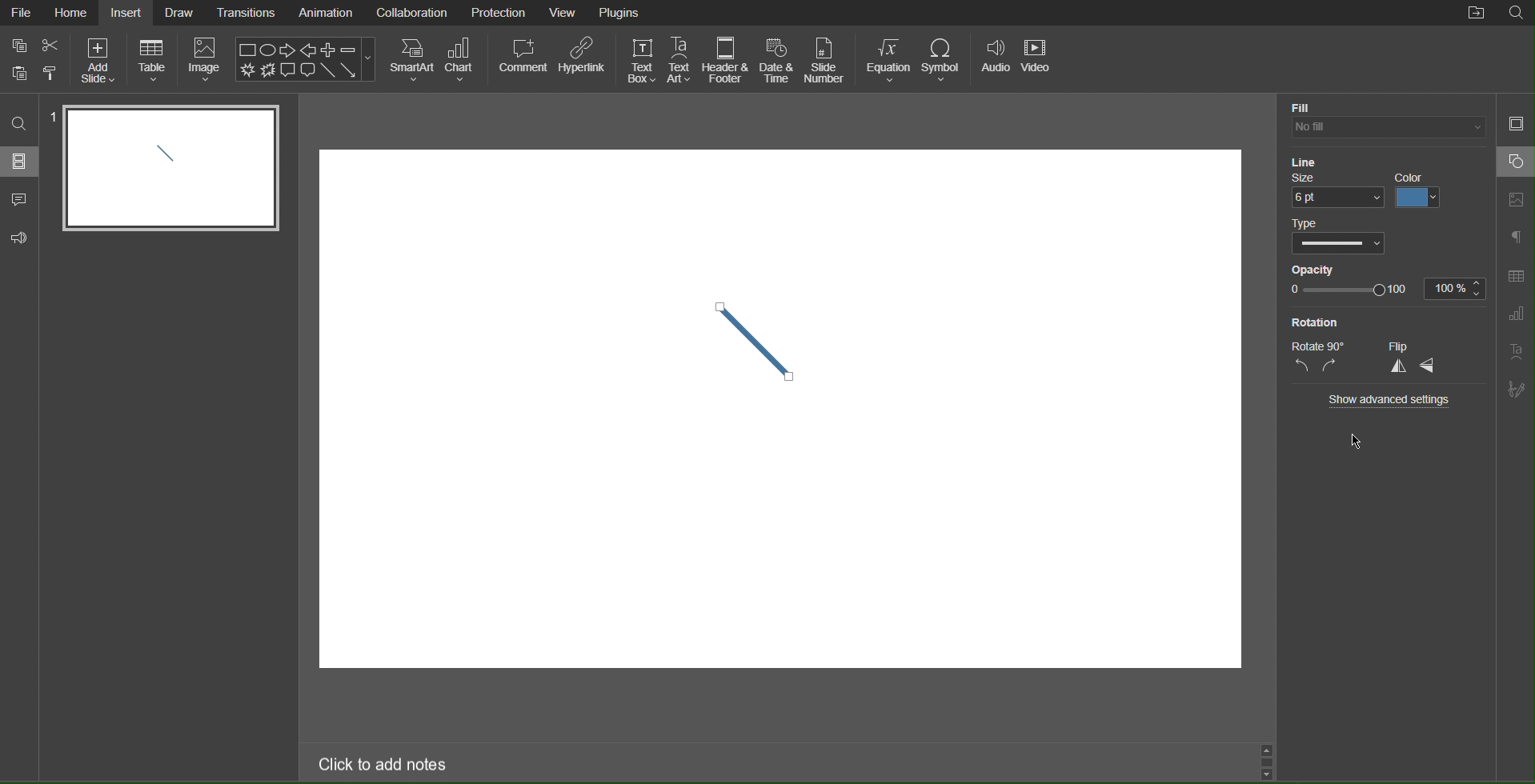 The image size is (1535, 784). I want to click on TextArt, so click(1517, 351).